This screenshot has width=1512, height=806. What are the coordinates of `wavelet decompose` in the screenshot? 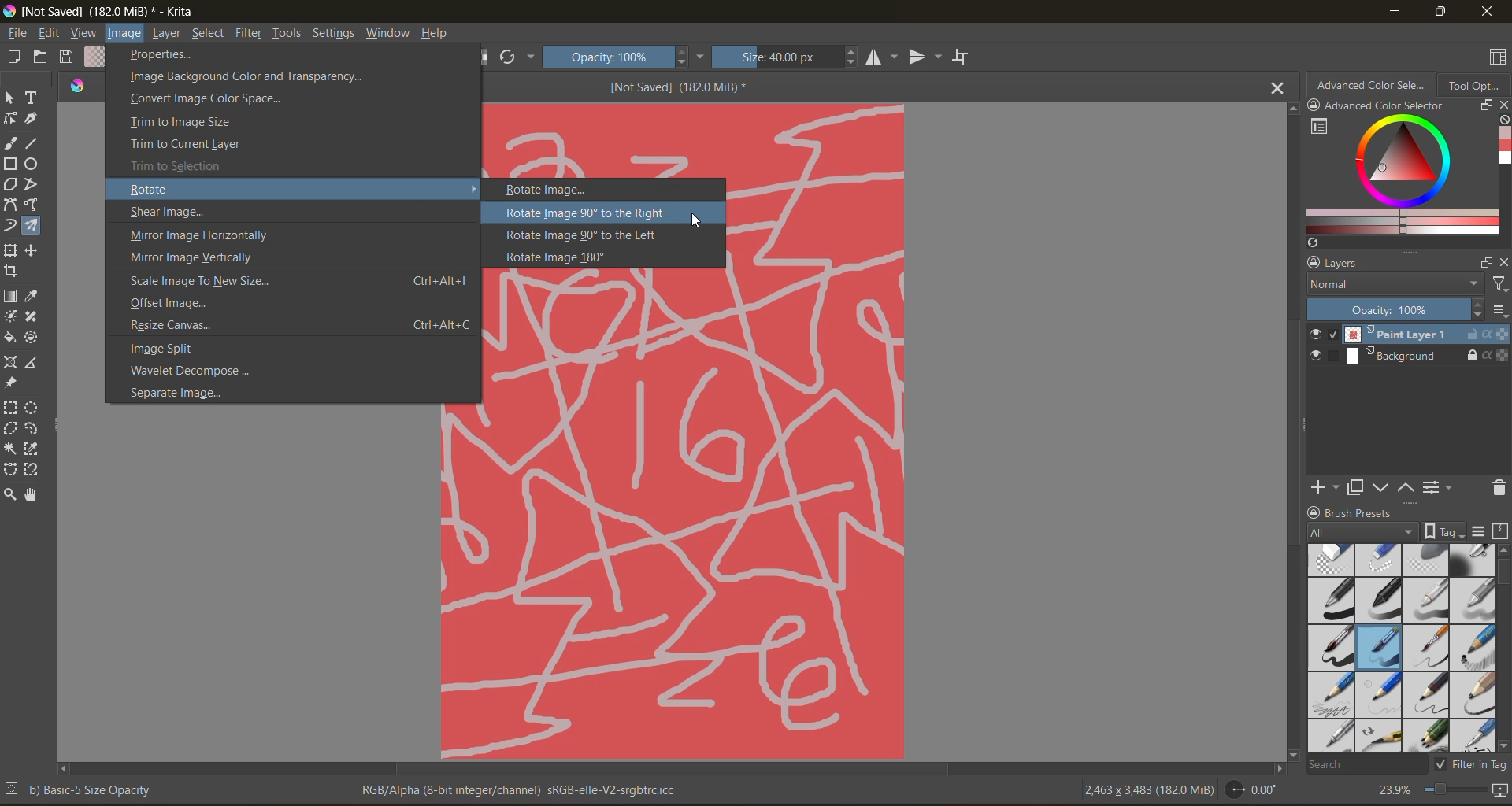 It's located at (203, 370).